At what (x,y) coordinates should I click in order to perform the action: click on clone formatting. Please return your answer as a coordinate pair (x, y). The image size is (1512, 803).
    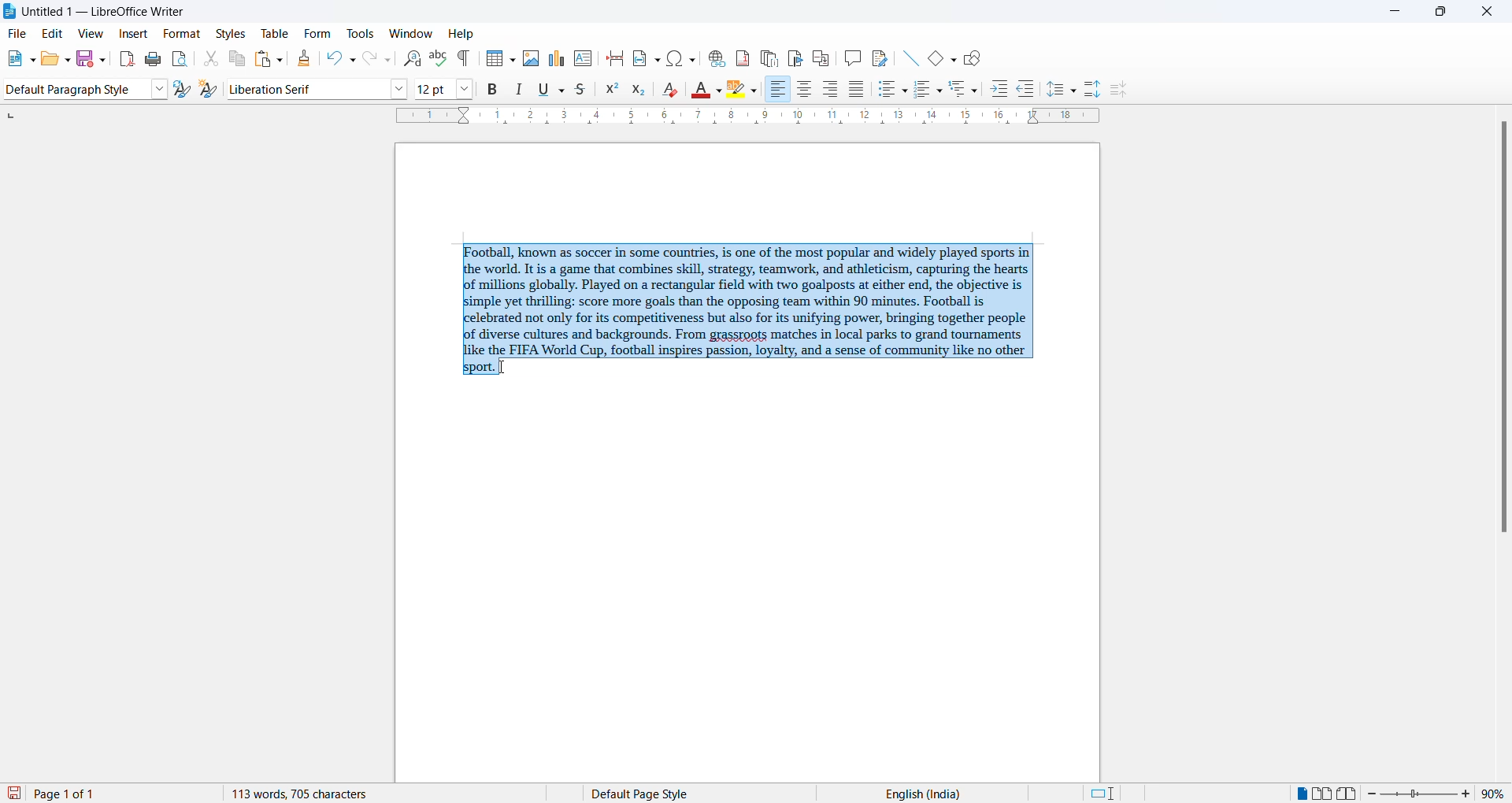
    Looking at the image, I should click on (306, 58).